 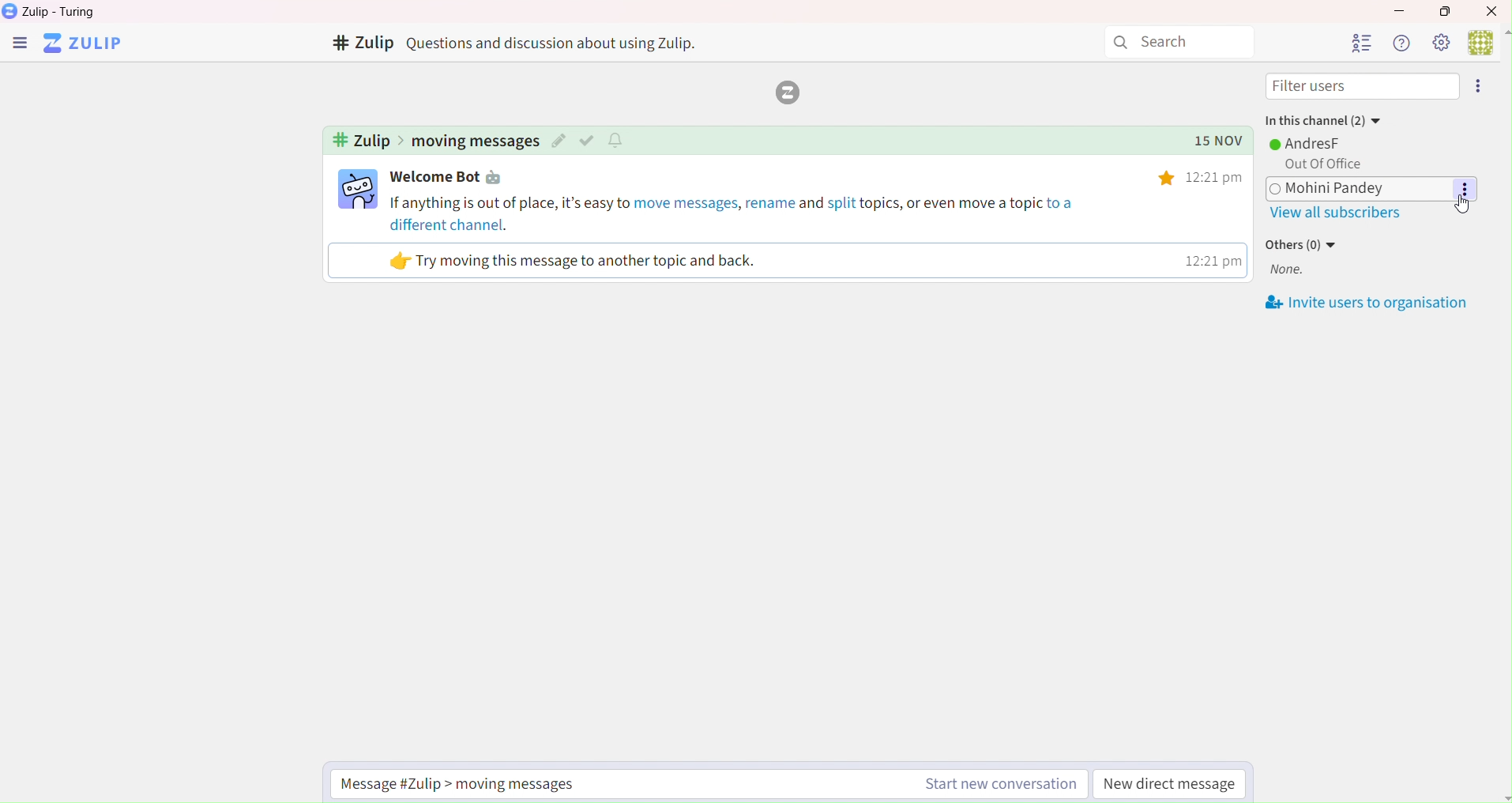 What do you see at coordinates (1493, 10) in the screenshot?
I see `Close` at bounding box center [1493, 10].